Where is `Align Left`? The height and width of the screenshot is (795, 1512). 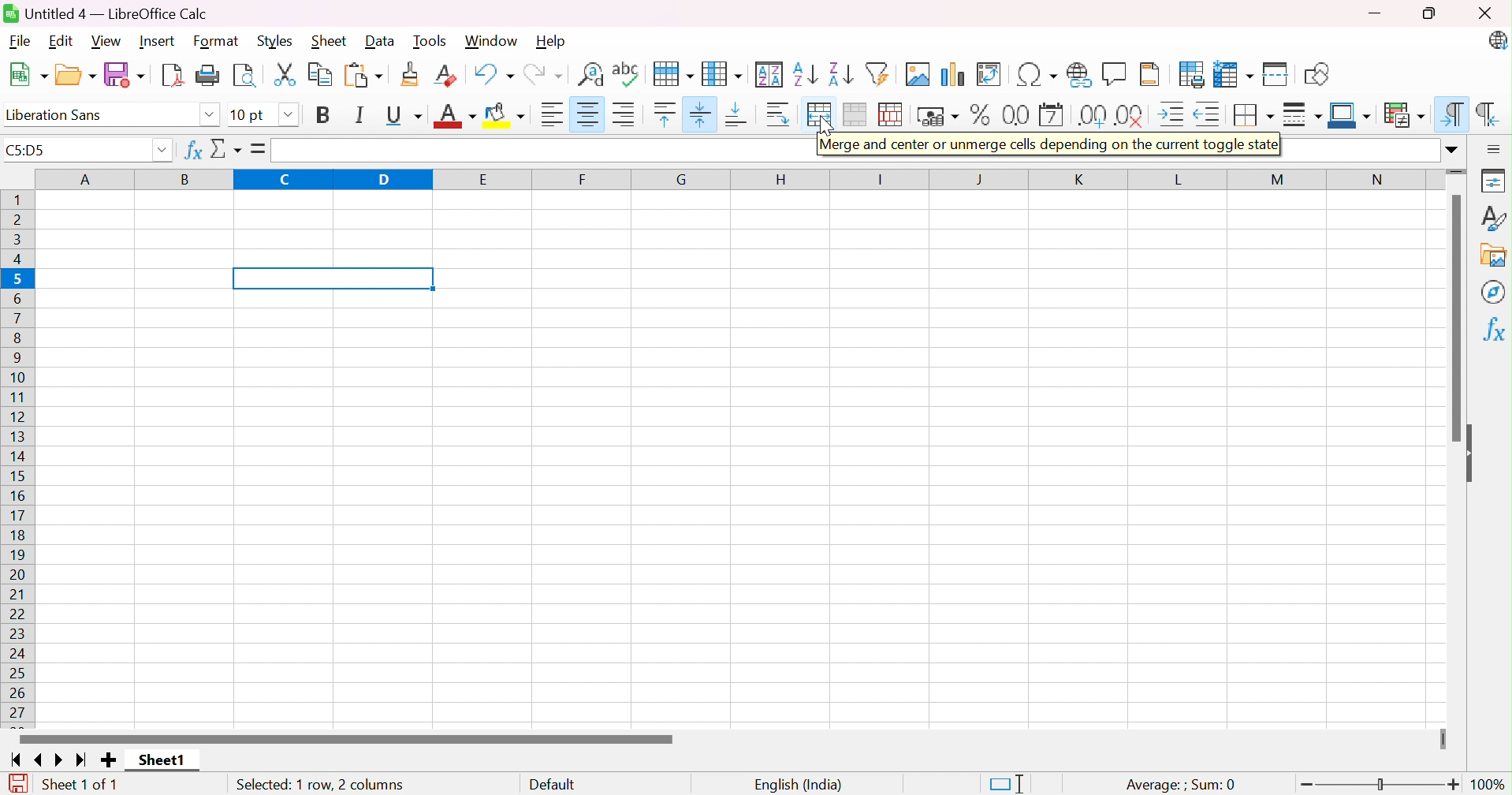 Align Left is located at coordinates (550, 114).